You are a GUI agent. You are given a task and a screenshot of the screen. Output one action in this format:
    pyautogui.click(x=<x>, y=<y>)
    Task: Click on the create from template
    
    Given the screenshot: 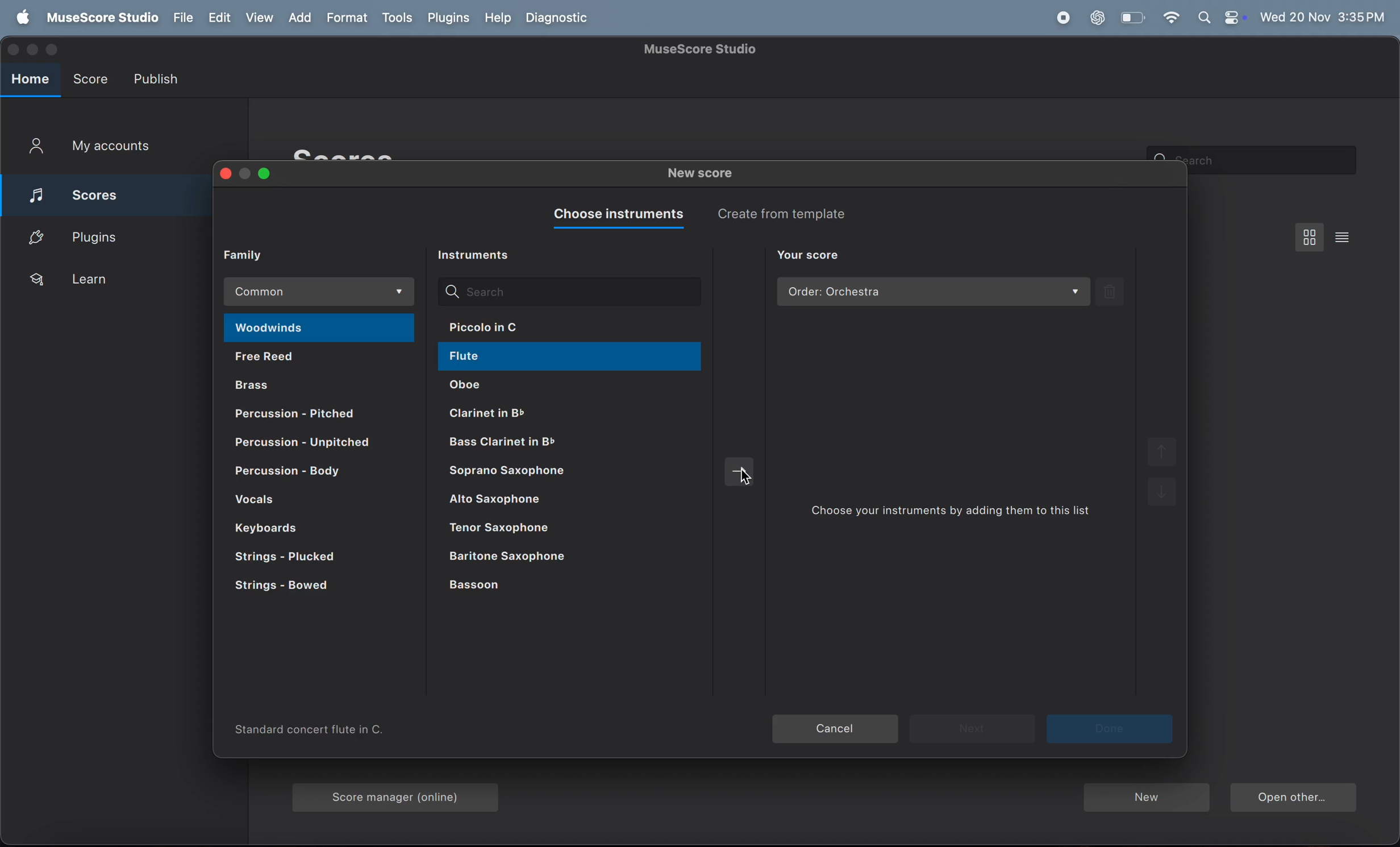 What is the action you would take?
    pyautogui.click(x=790, y=213)
    